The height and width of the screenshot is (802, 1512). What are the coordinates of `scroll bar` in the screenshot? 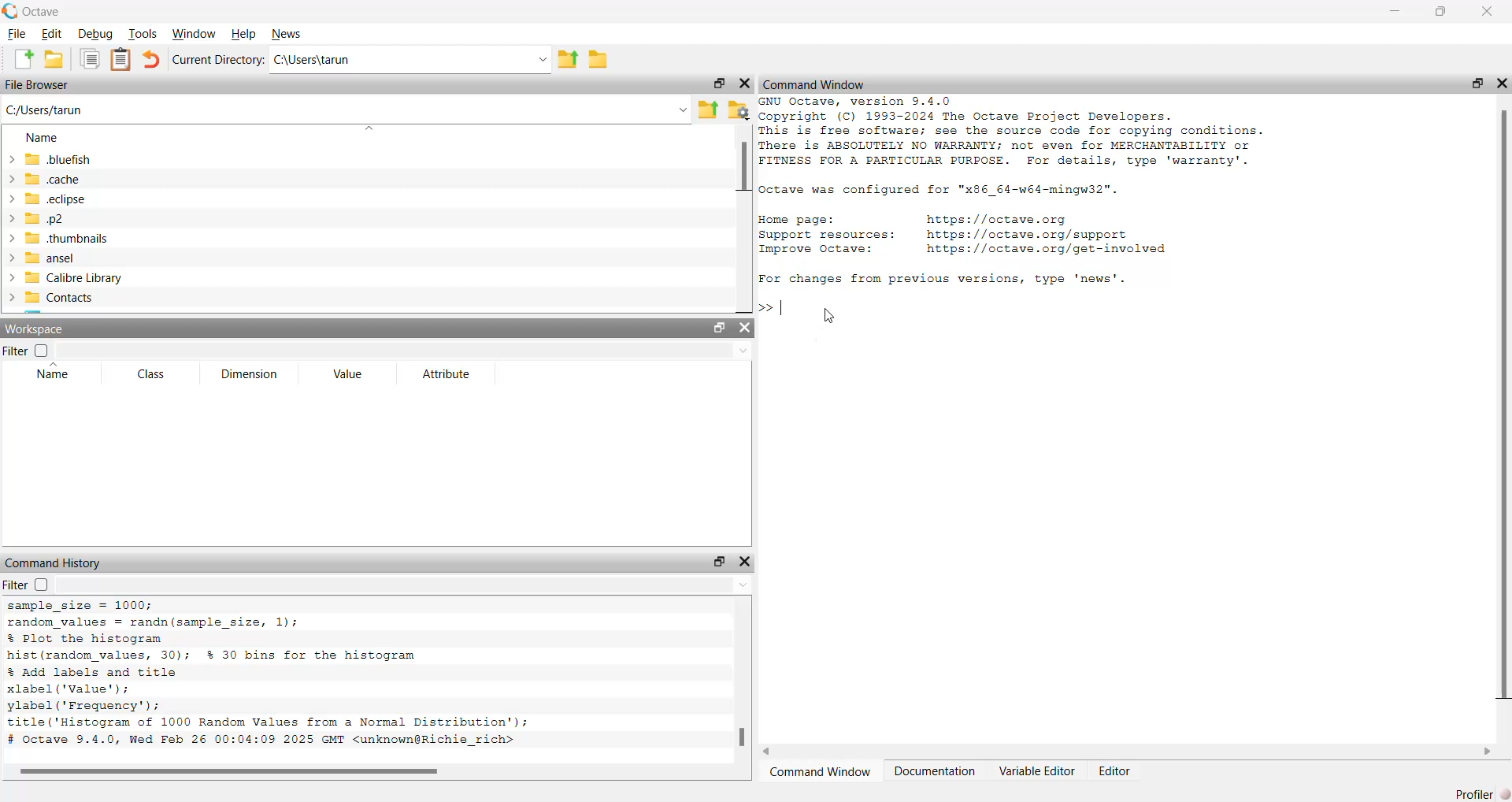 It's located at (229, 772).